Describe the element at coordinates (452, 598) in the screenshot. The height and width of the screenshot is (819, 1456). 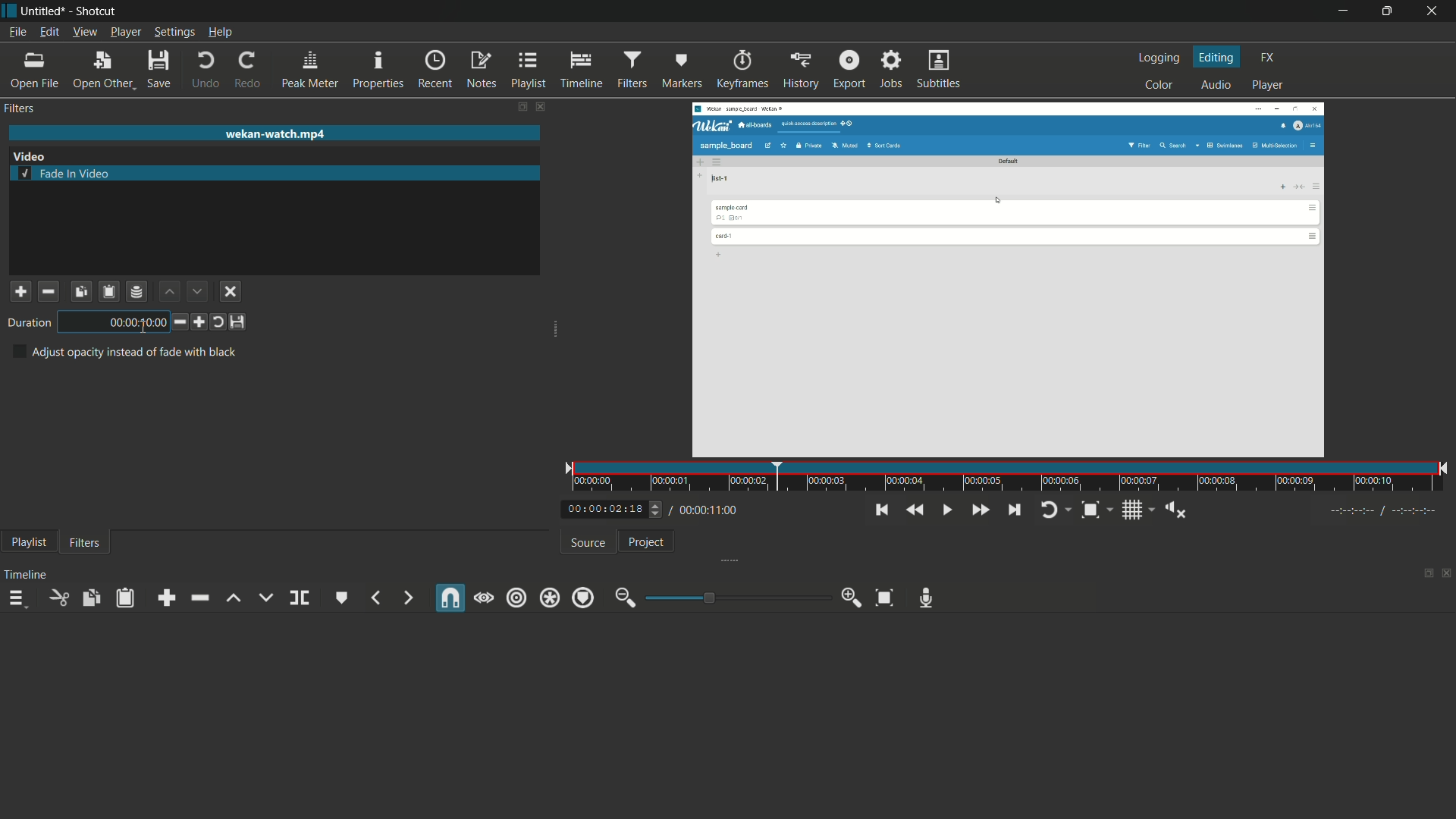
I see `snap` at that location.